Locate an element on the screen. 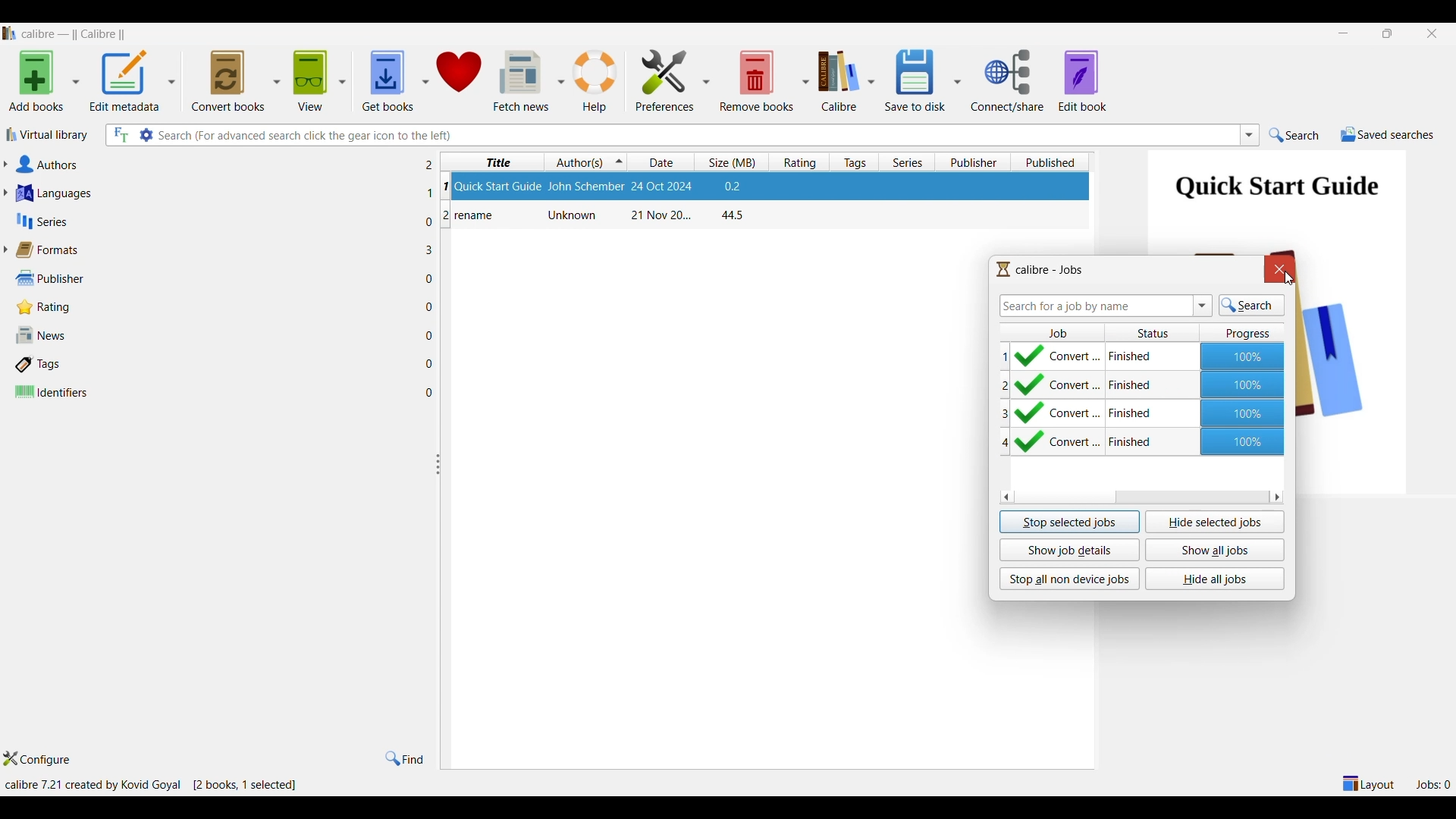 The height and width of the screenshot is (819, 1456). Show job details is located at coordinates (1072, 550).